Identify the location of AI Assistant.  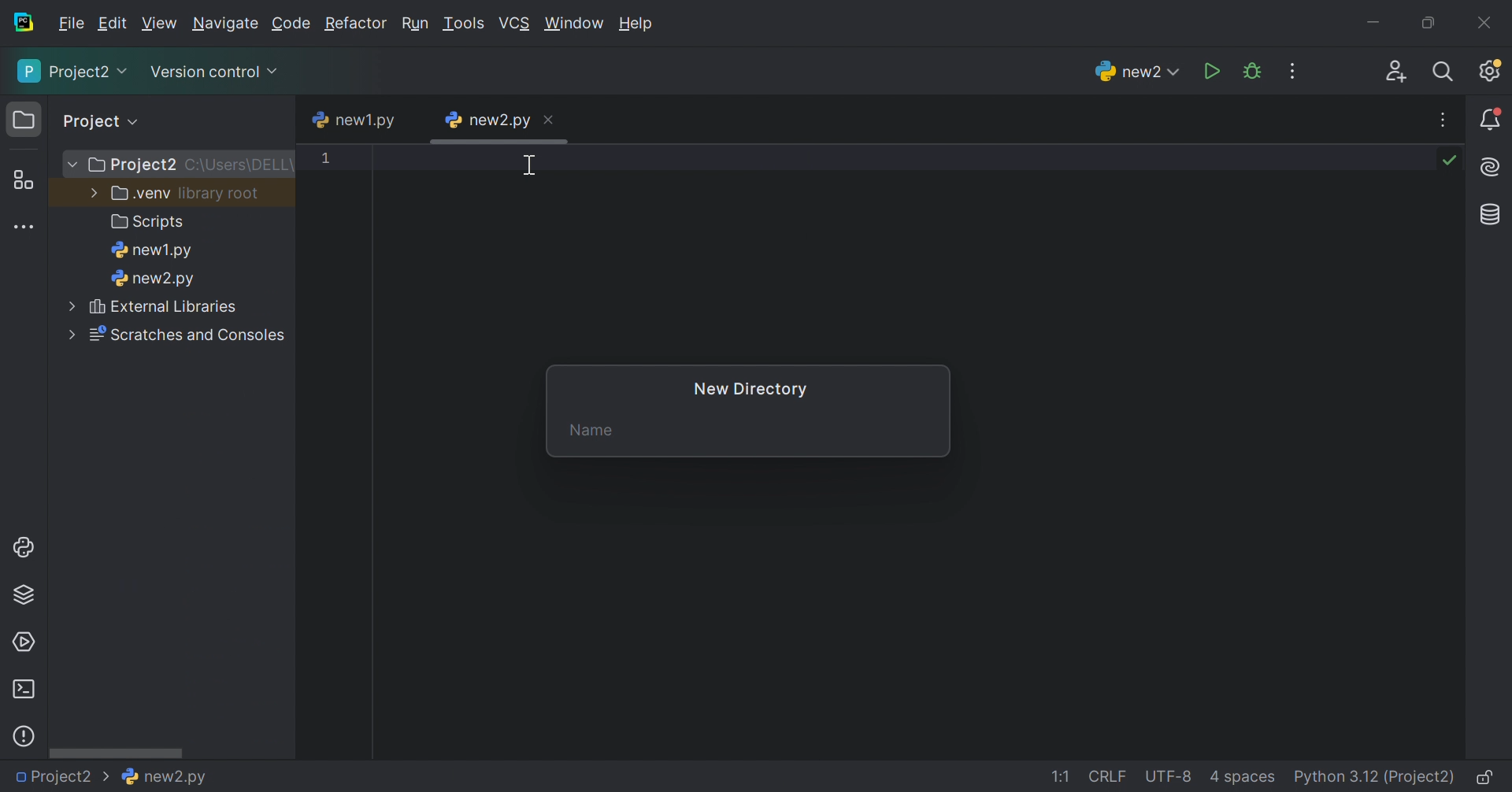
(1494, 167).